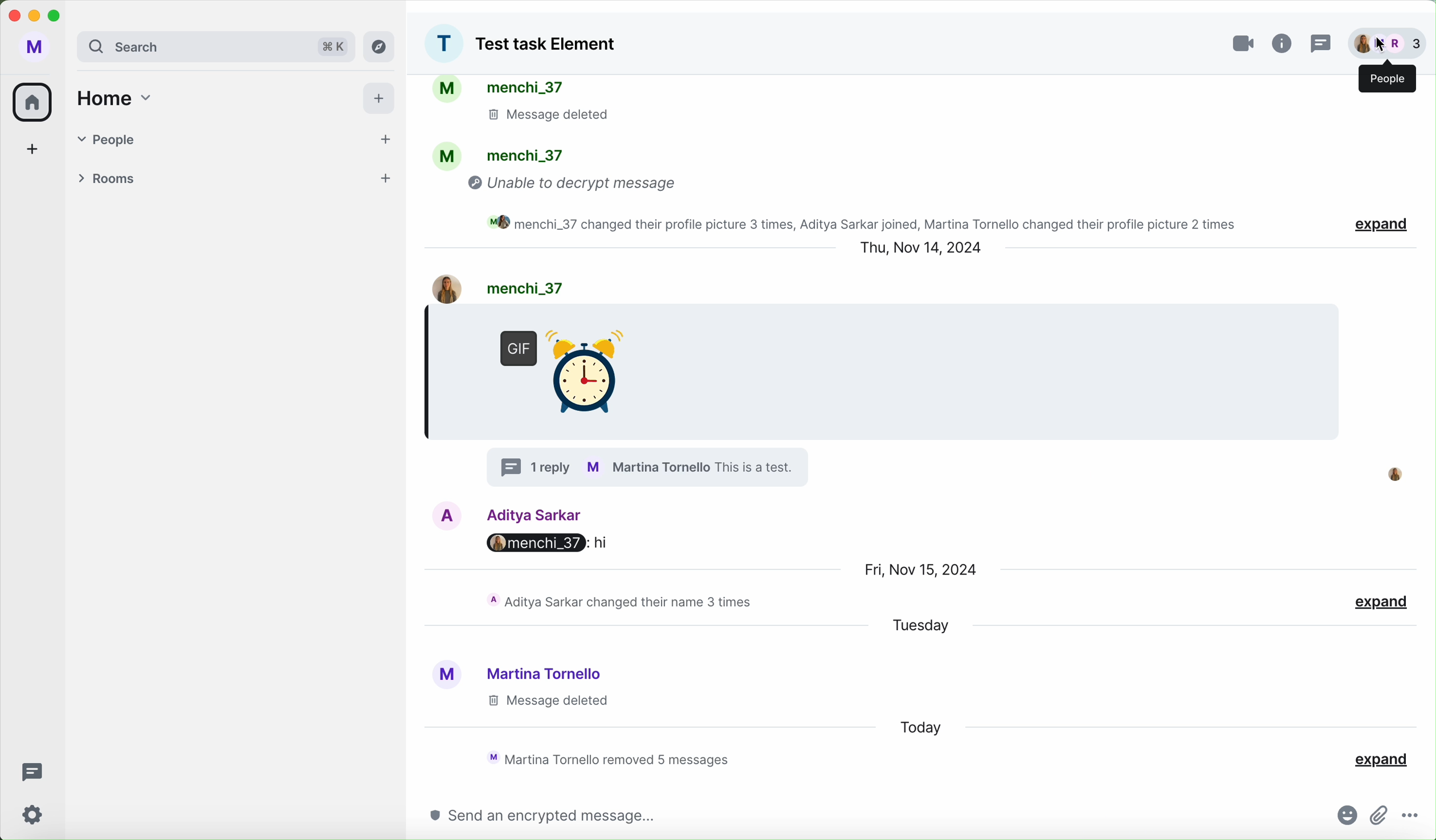  I want to click on expand, so click(1382, 761).